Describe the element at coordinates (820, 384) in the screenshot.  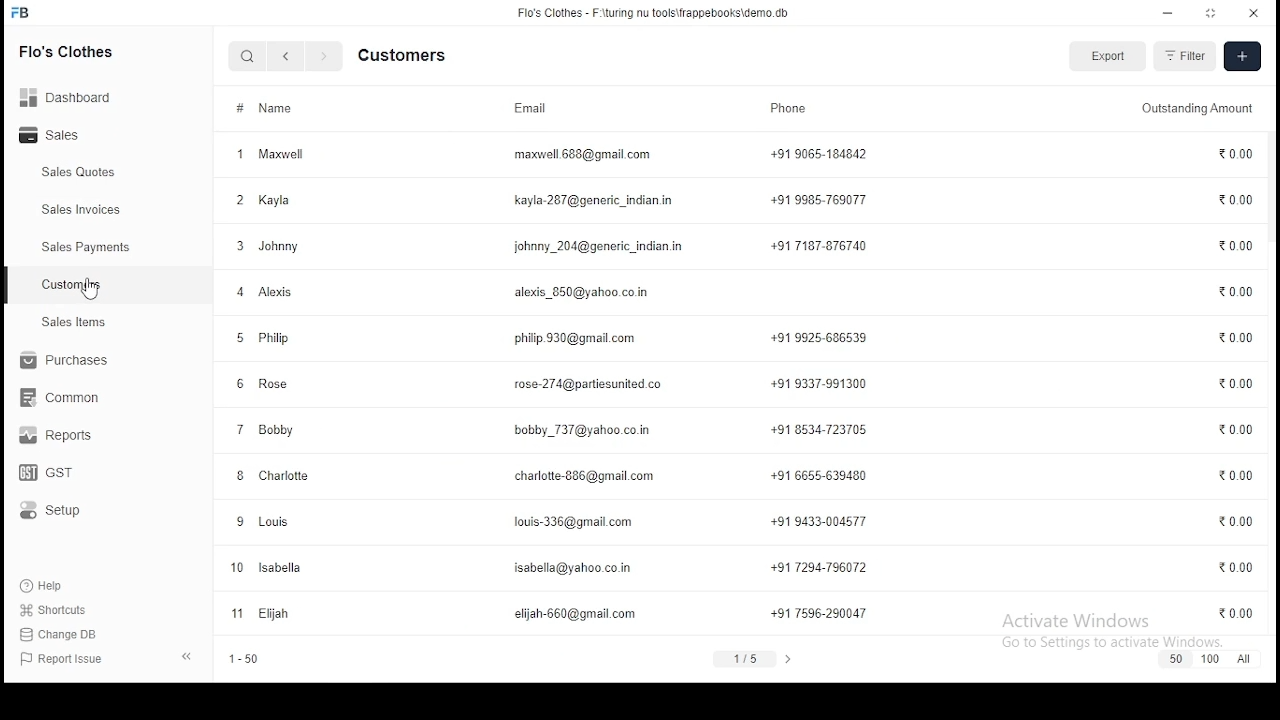
I see `+91 9337-991300` at that location.